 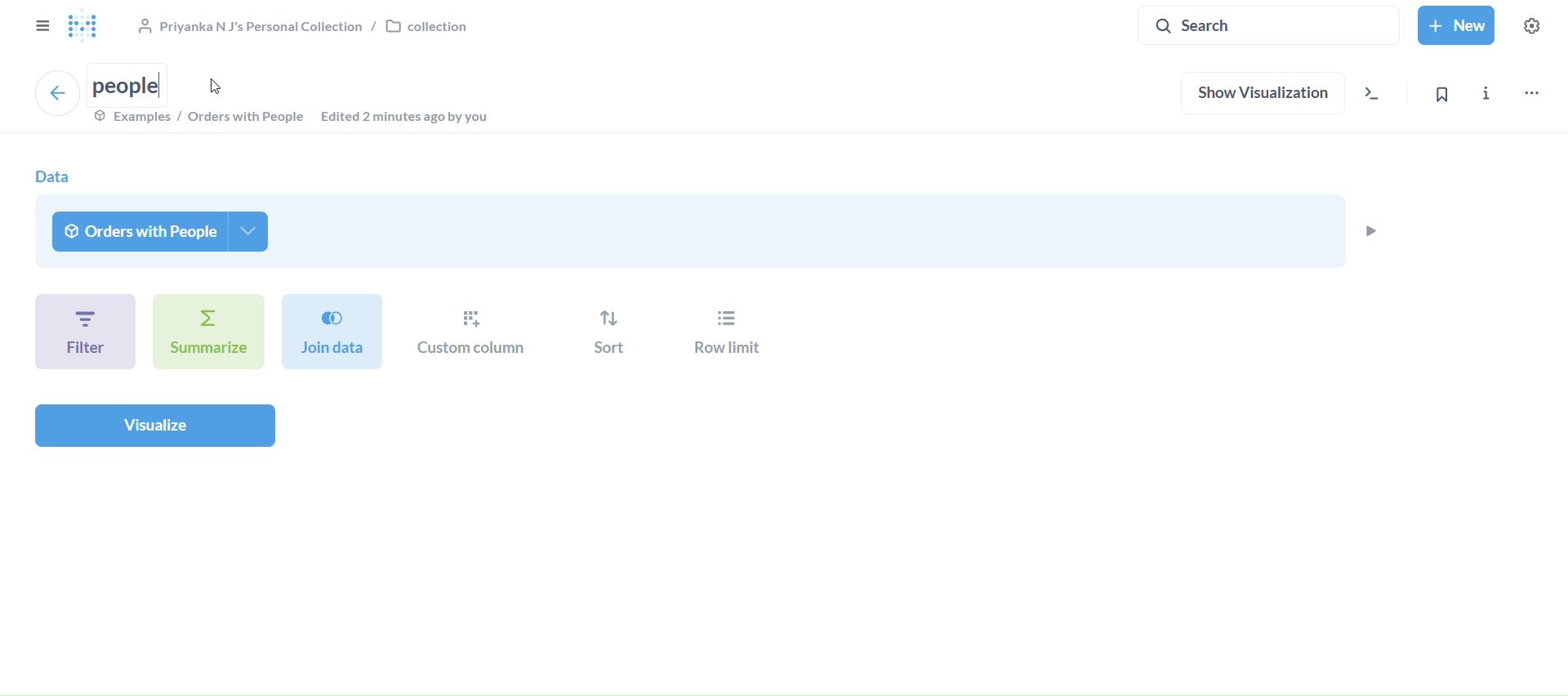 What do you see at coordinates (1269, 24) in the screenshot?
I see `search` at bounding box center [1269, 24].